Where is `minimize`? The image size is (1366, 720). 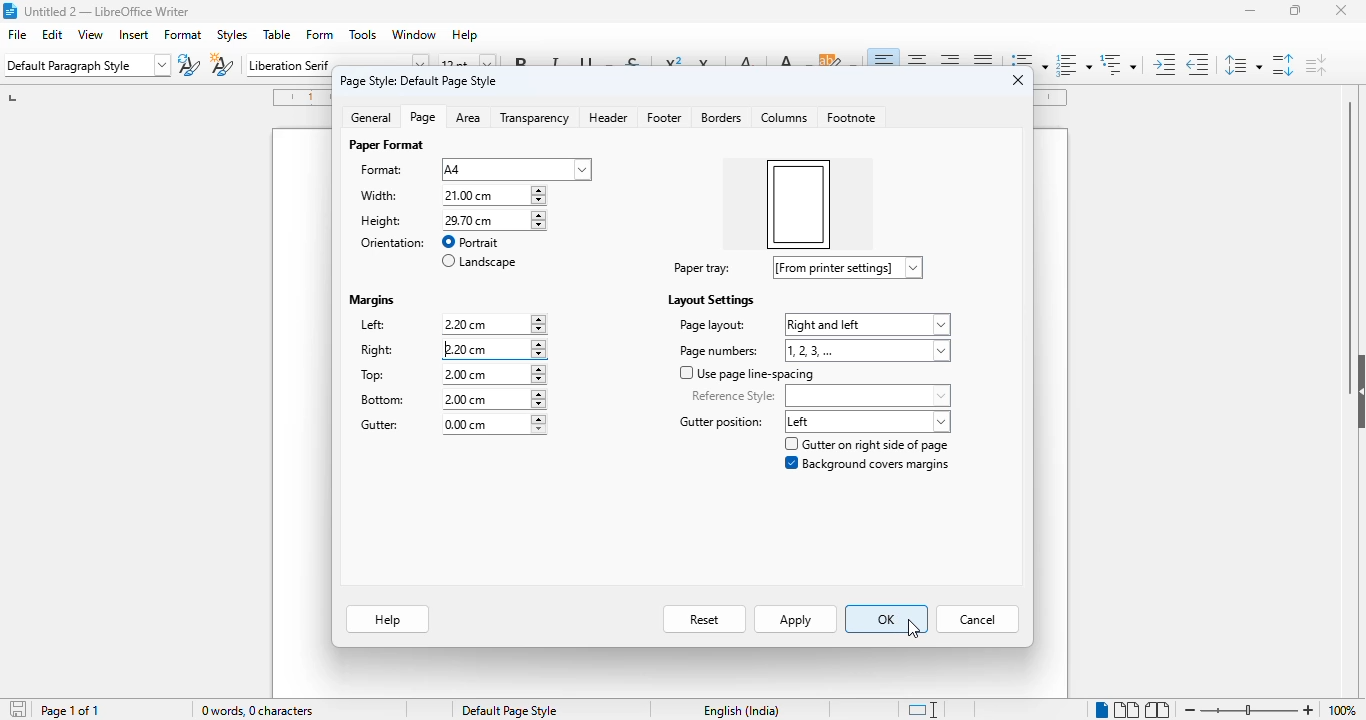 minimize is located at coordinates (1251, 11).